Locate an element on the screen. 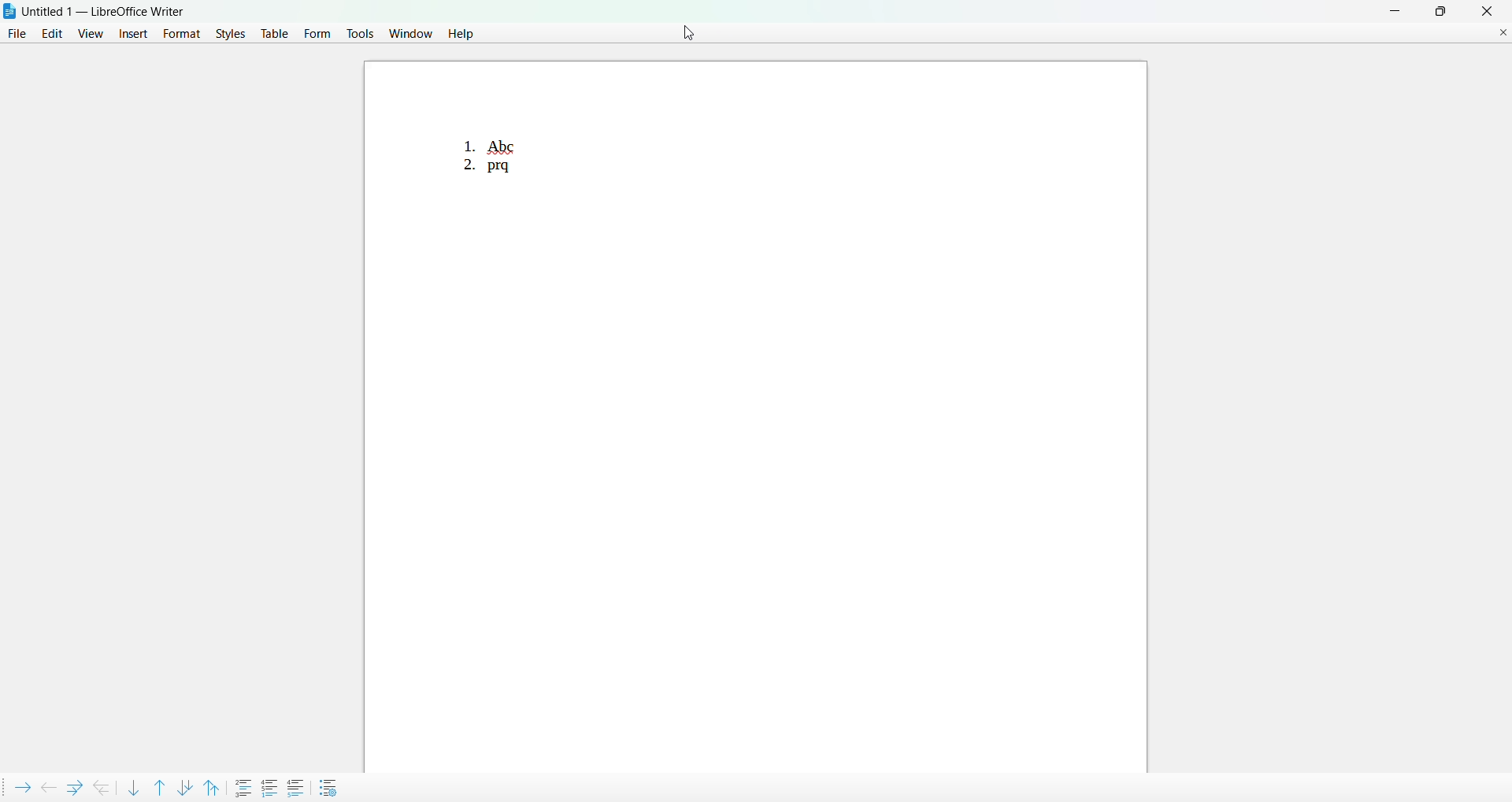 Image resolution: width=1512 pixels, height=802 pixels. form is located at coordinates (318, 32).